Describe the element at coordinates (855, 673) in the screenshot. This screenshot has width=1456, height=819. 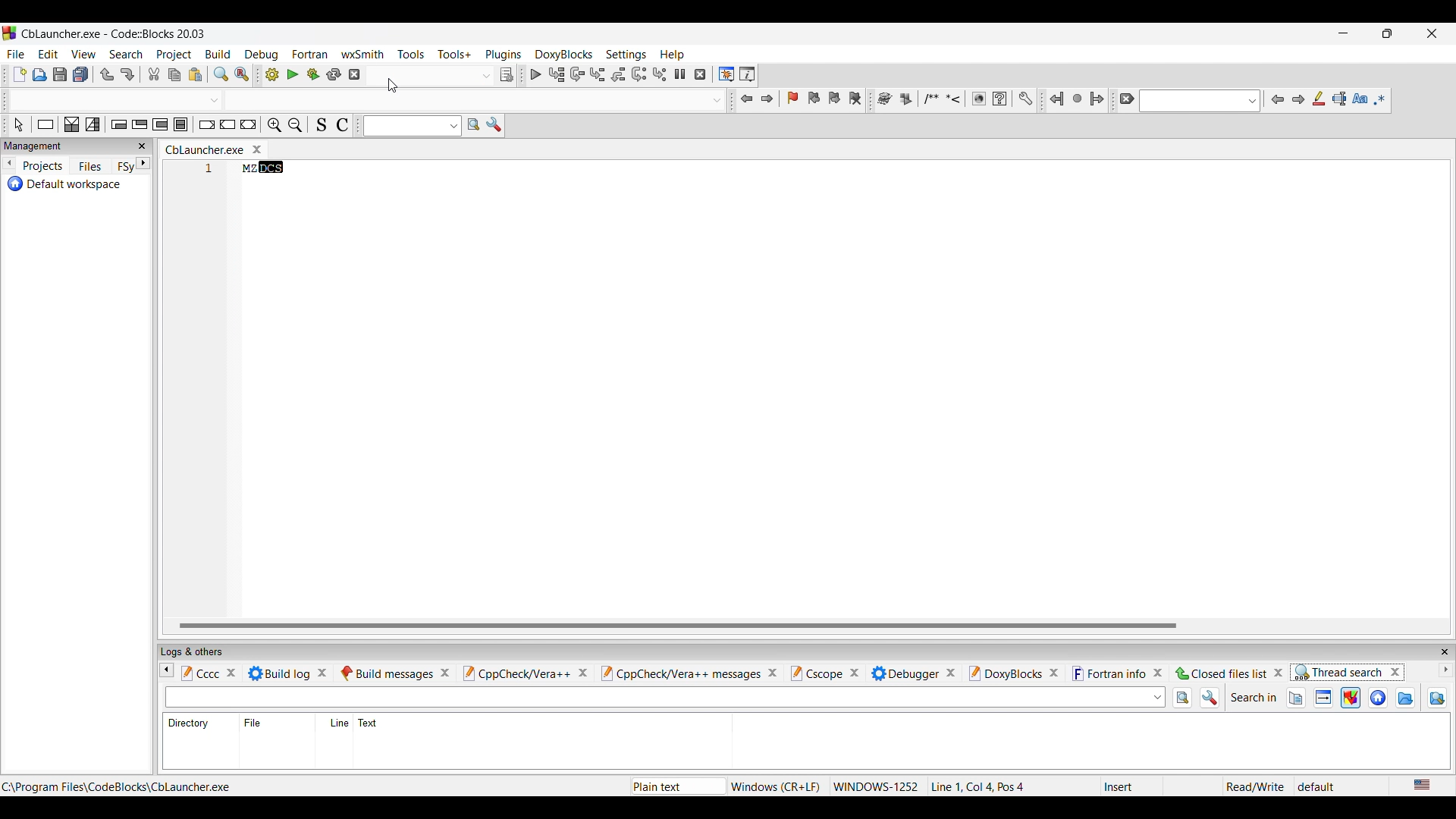
I see `Close Cscope` at that location.